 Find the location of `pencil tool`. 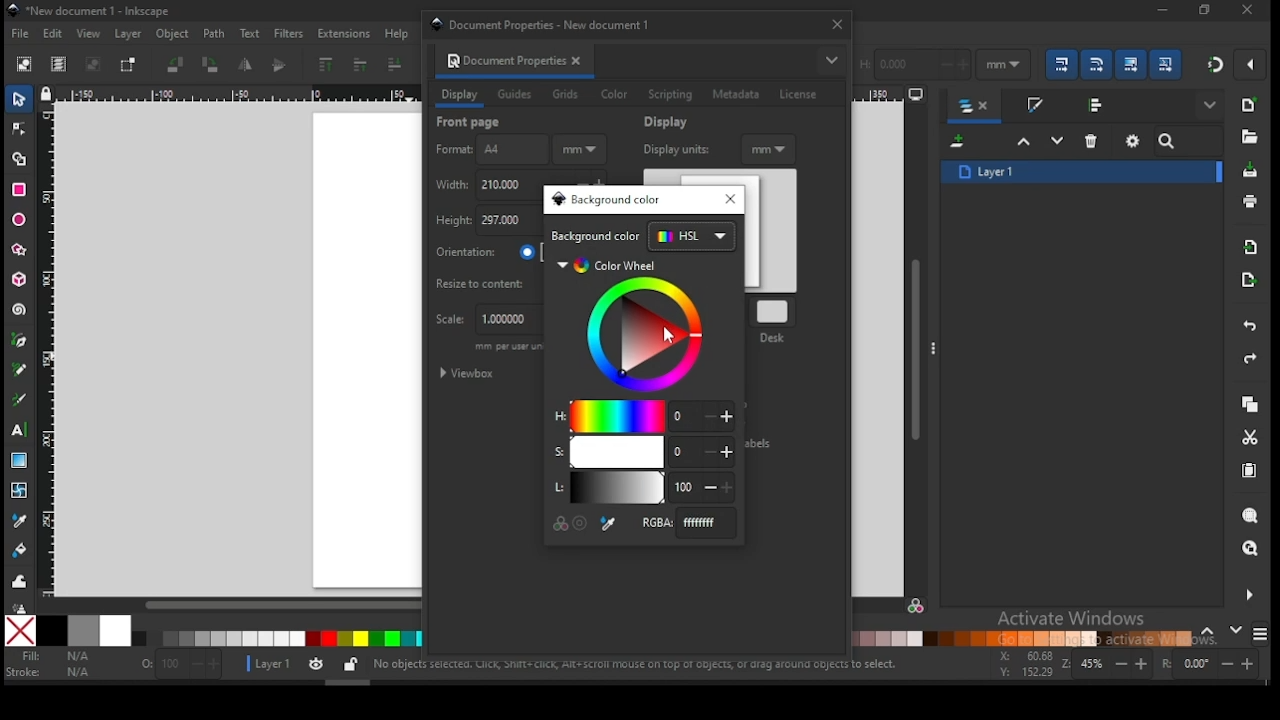

pencil tool is located at coordinates (21, 371).